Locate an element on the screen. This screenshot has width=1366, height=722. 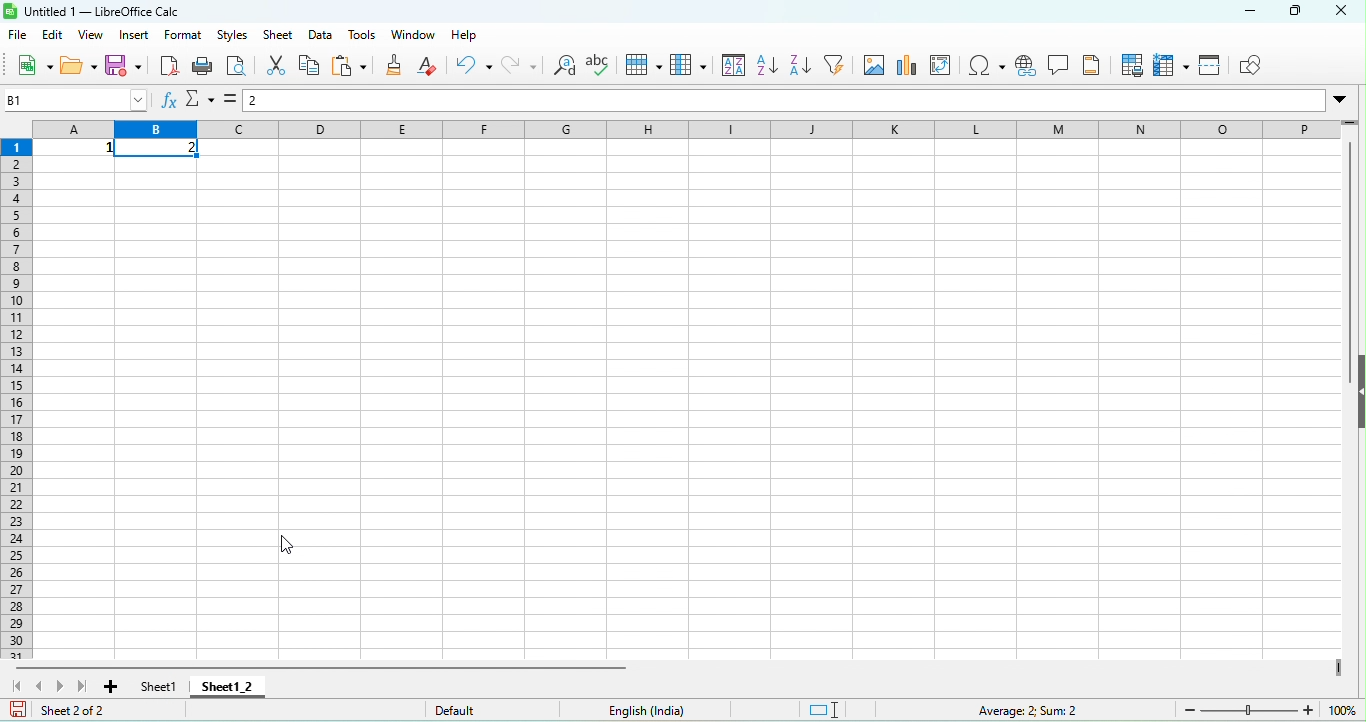
file is located at coordinates (18, 35).